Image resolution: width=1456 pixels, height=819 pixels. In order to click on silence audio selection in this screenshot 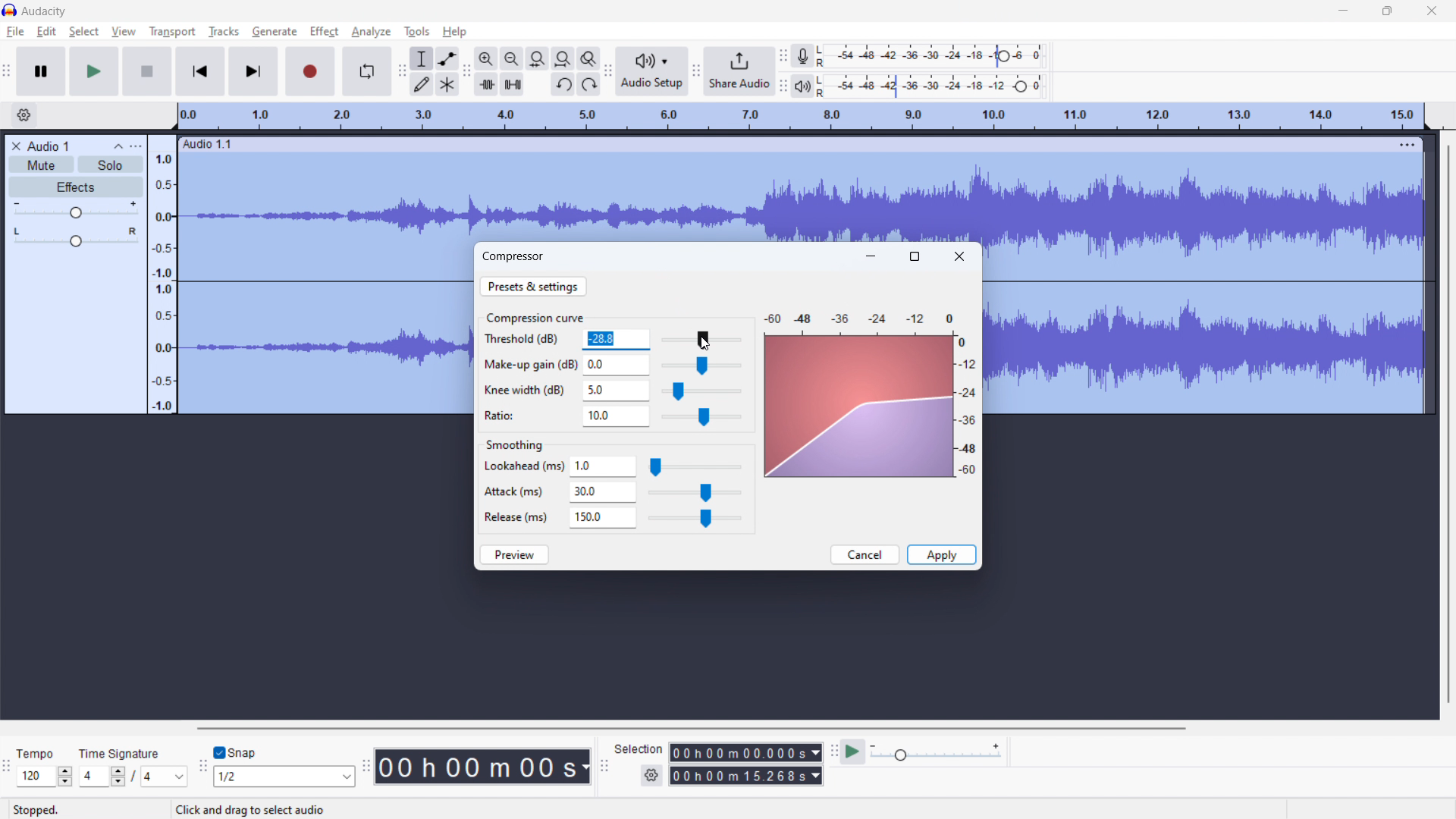, I will do `click(512, 84)`.